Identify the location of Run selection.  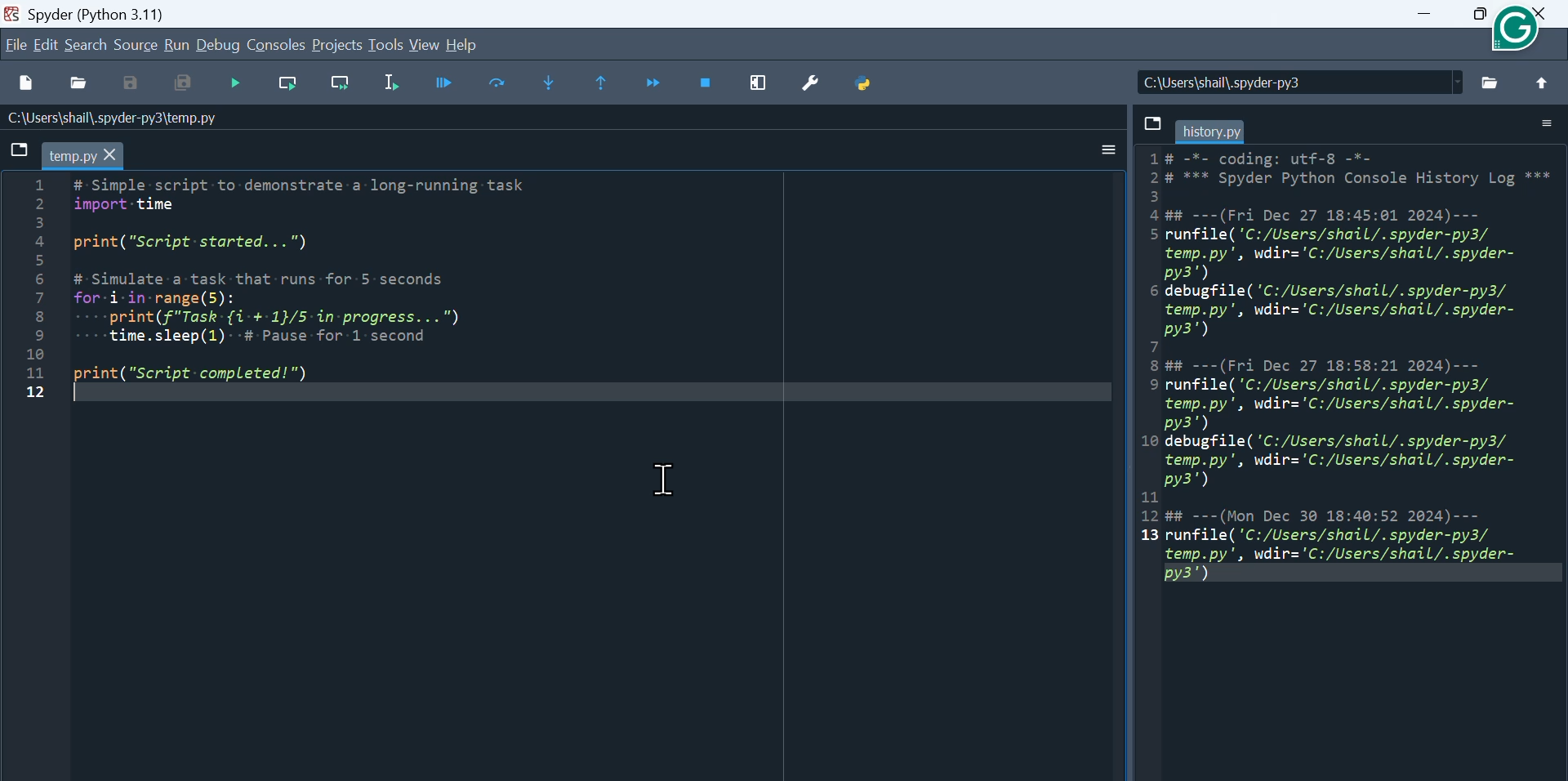
(390, 84).